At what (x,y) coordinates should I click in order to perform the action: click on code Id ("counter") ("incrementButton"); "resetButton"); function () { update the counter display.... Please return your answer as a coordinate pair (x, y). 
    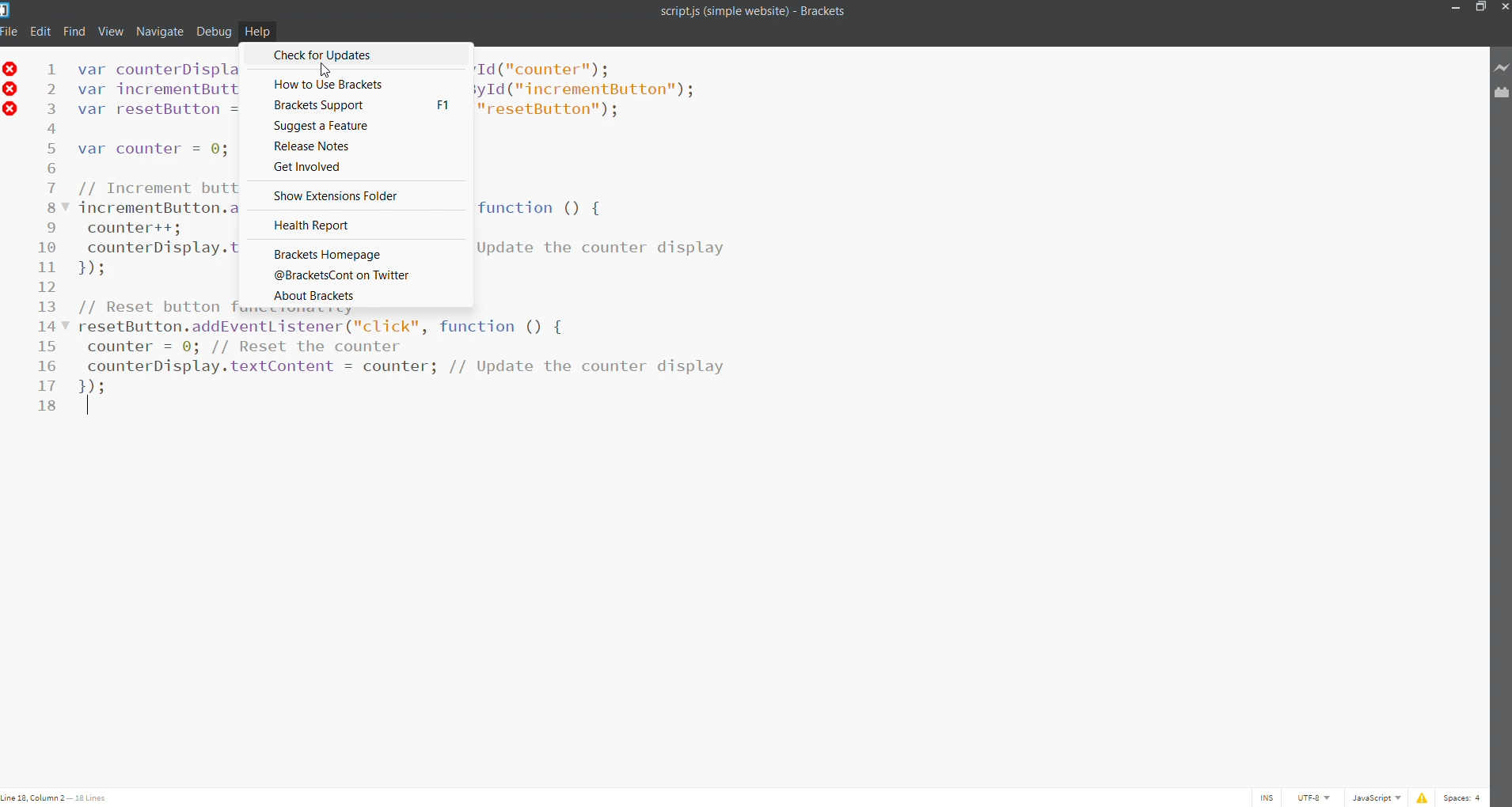
    Looking at the image, I should click on (606, 222).